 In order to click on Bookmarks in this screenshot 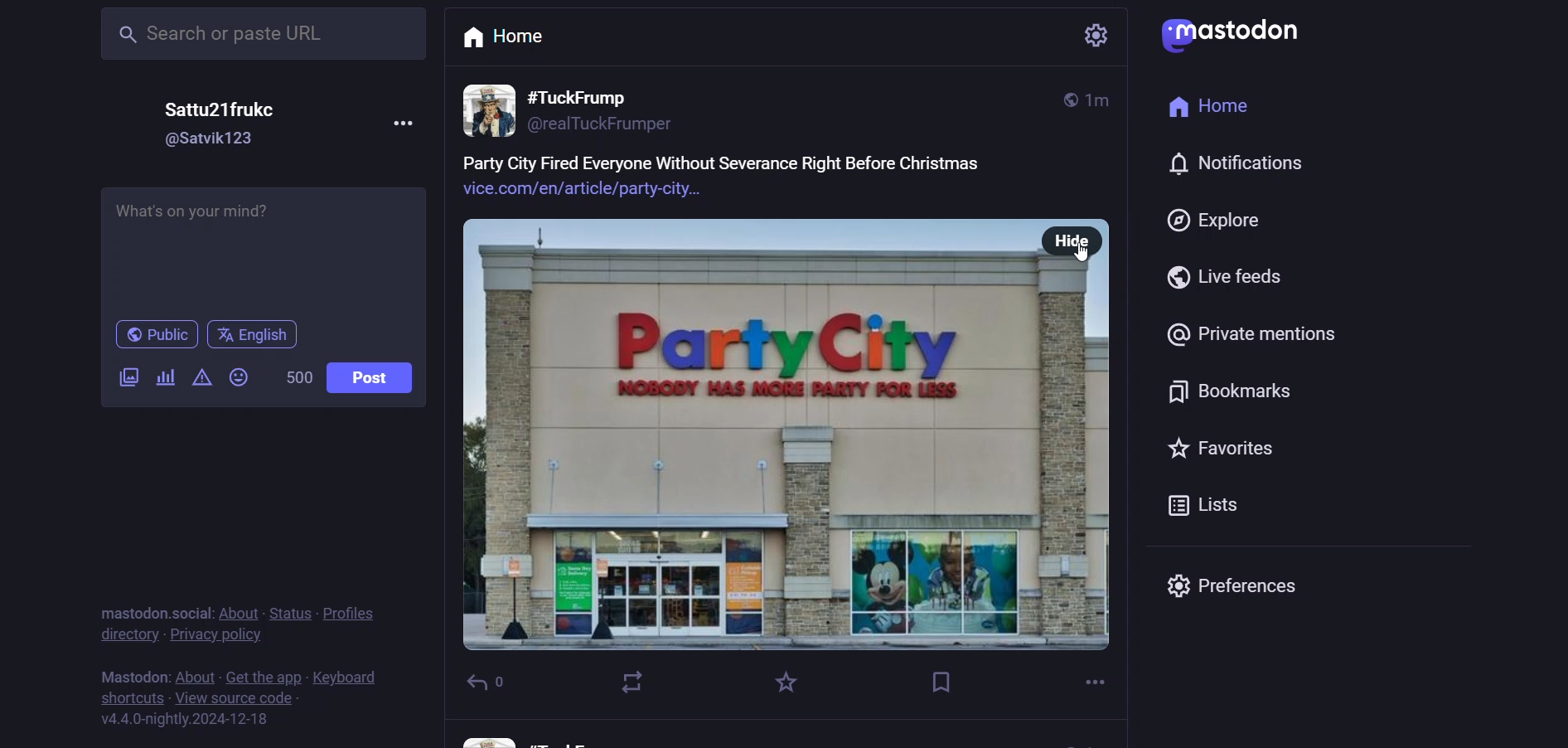, I will do `click(1225, 391)`.